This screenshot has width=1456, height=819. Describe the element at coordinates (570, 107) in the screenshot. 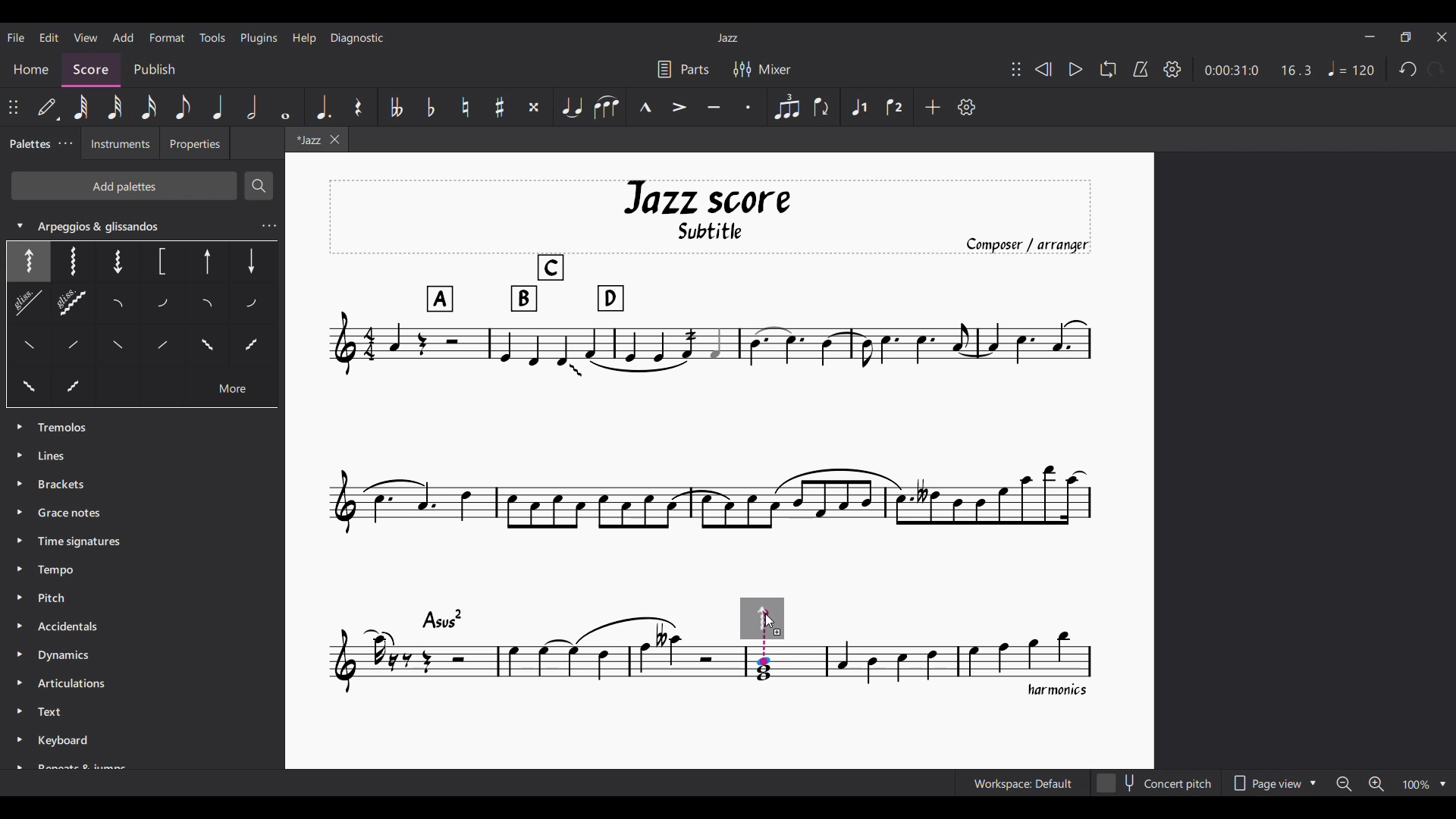

I see `Tie` at that location.